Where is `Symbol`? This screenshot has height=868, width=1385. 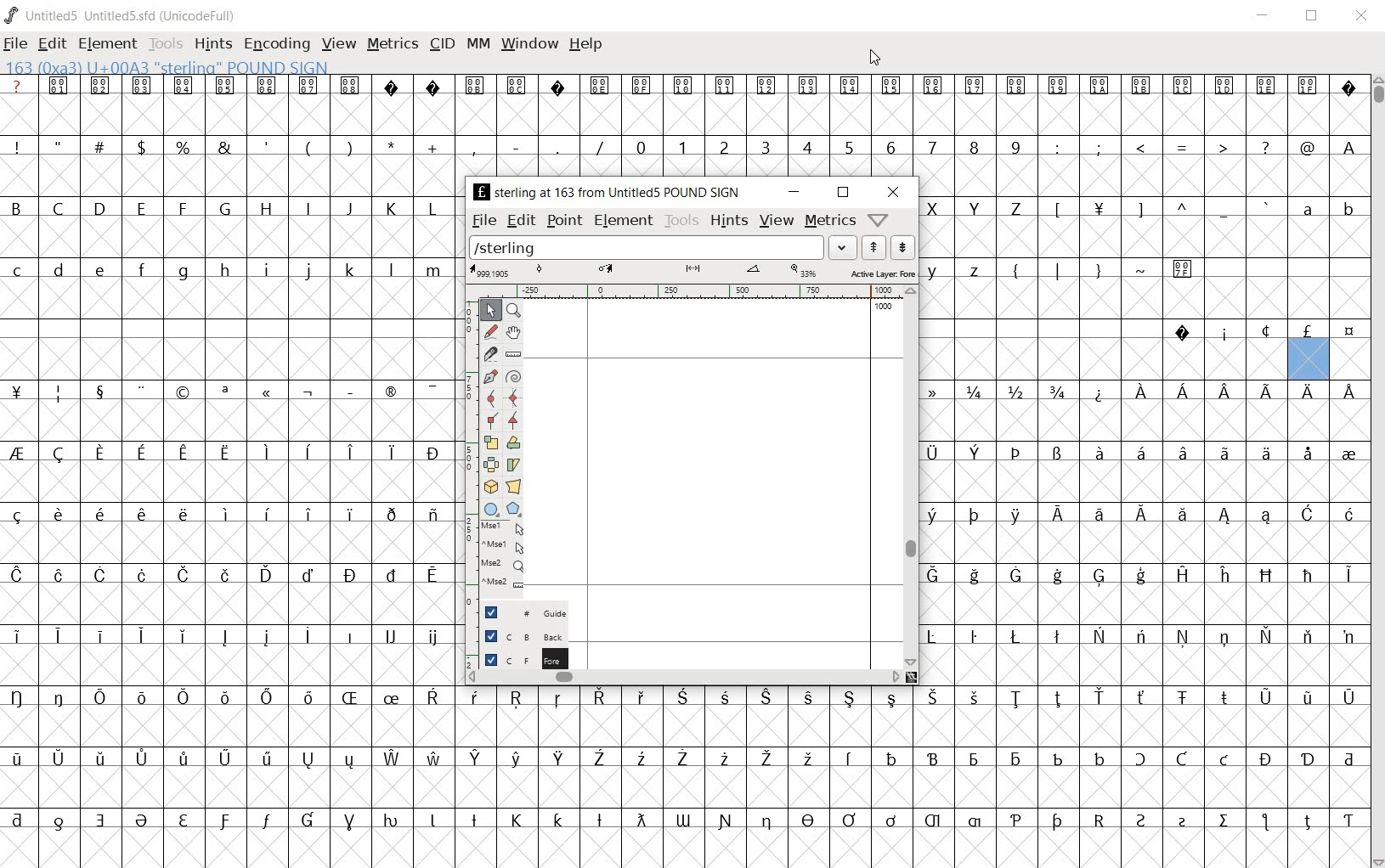
Symbol is located at coordinates (142, 577).